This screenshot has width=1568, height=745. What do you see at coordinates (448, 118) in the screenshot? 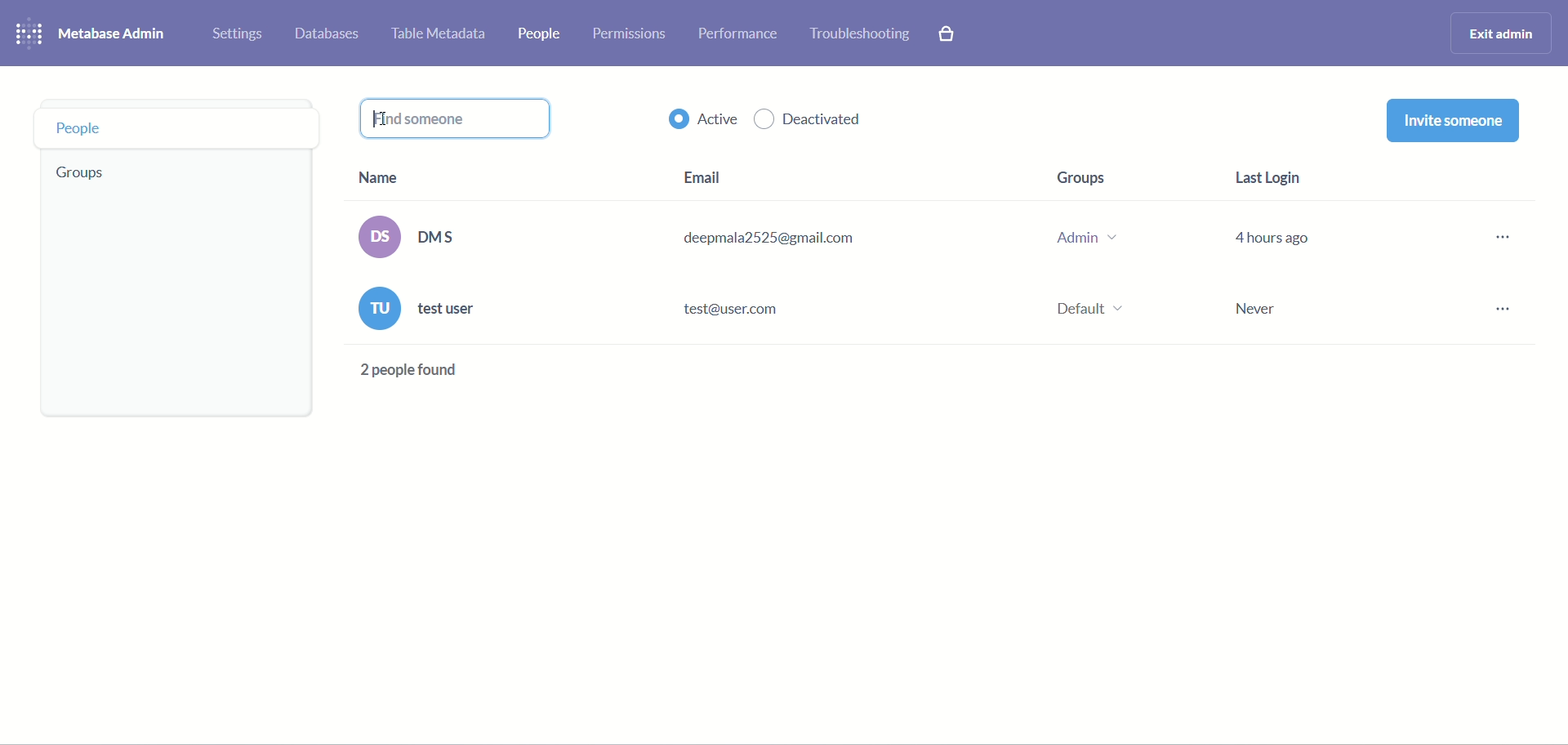
I see `typing` at bounding box center [448, 118].